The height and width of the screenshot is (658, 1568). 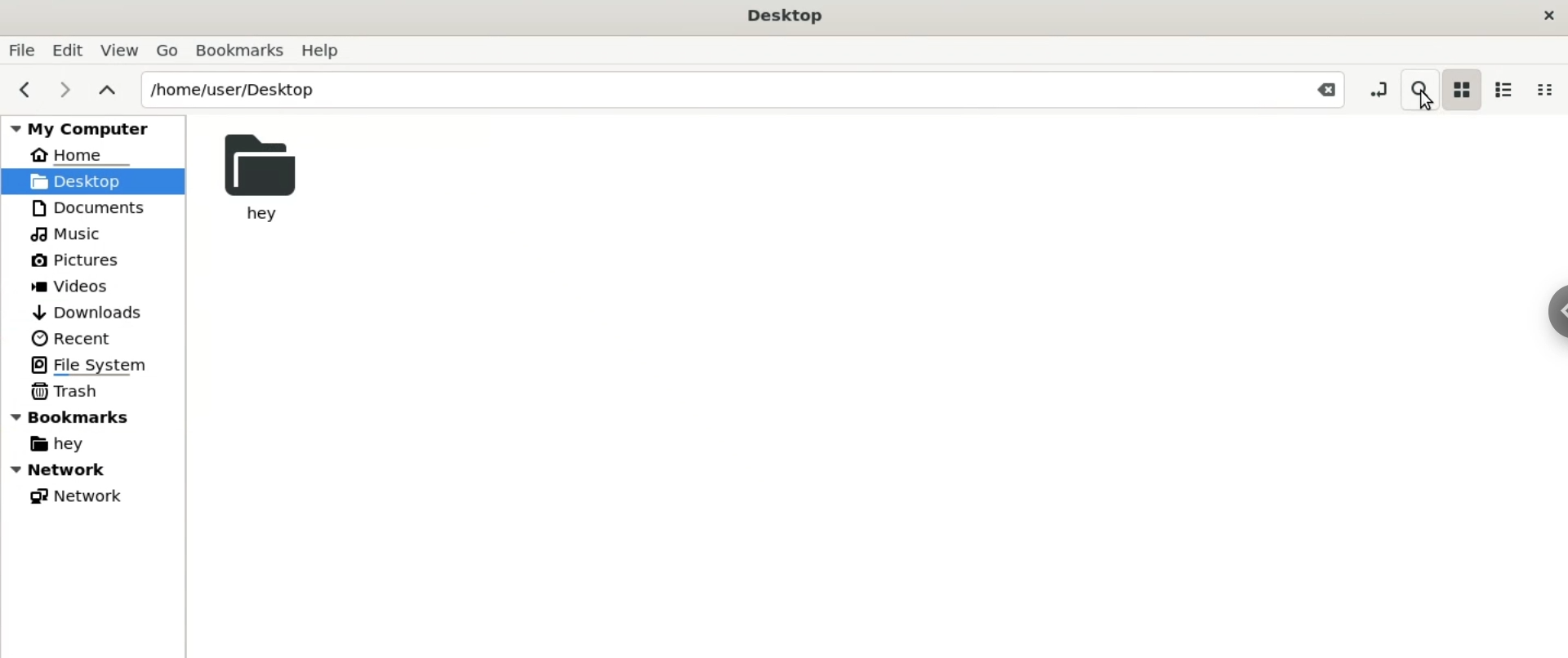 What do you see at coordinates (78, 285) in the screenshot?
I see `Videos` at bounding box center [78, 285].